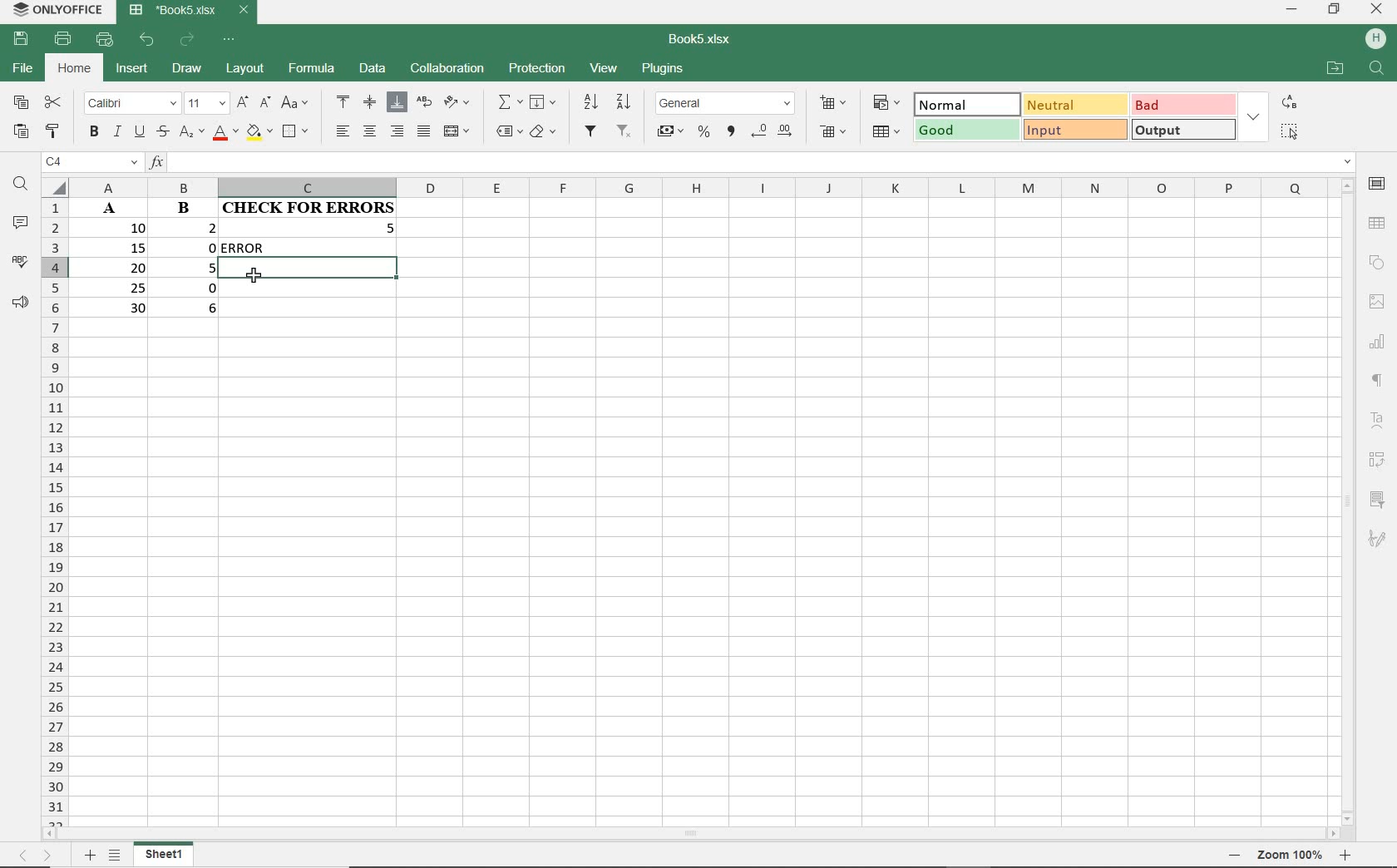 This screenshot has height=868, width=1397. What do you see at coordinates (1379, 221) in the screenshot?
I see `` at bounding box center [1379, 221].